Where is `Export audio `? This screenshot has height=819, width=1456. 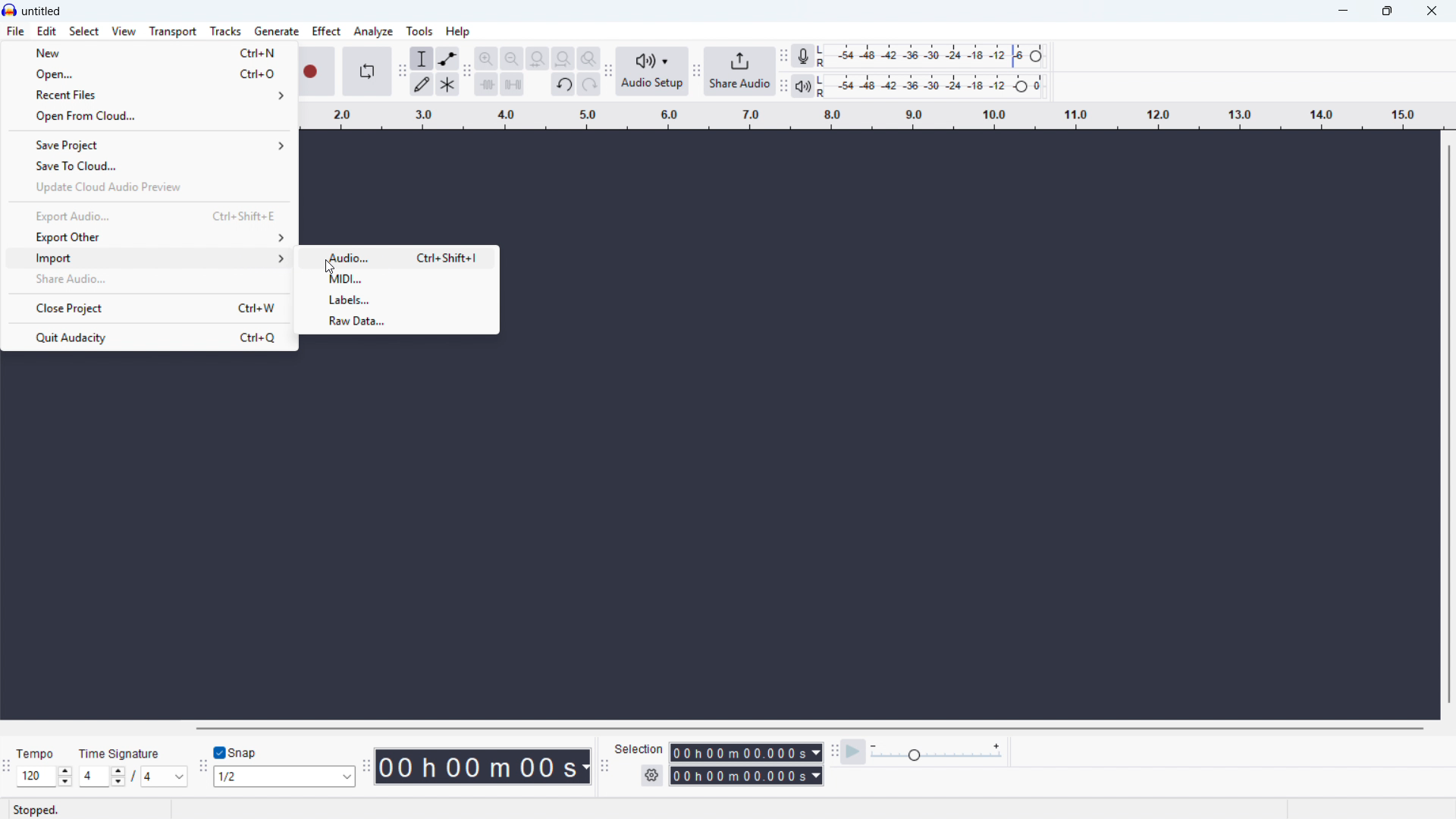
Export audio  is located at coordinates (146, 217).